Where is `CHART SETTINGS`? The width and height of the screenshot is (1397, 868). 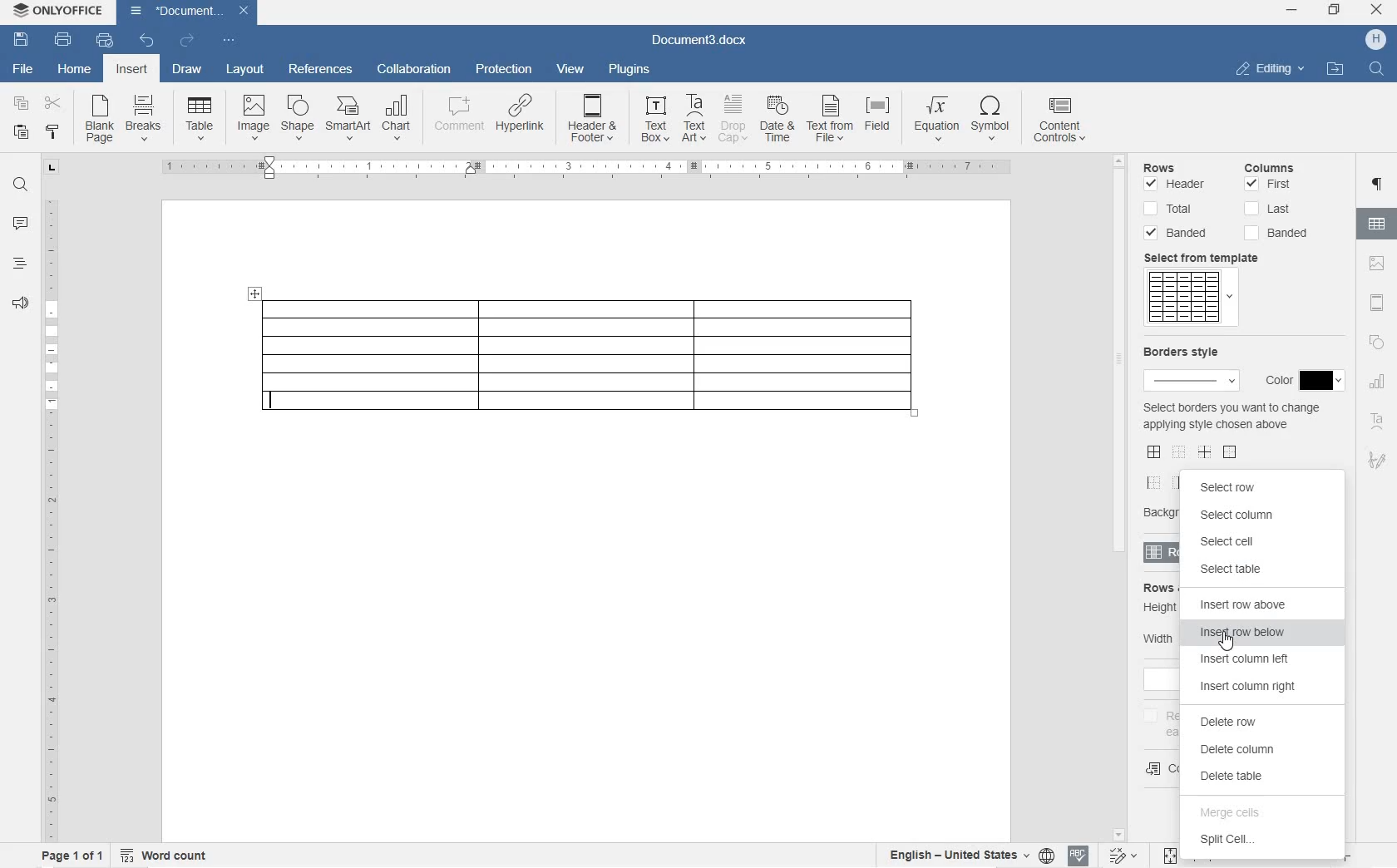 CHART SETTINGS is located at coordinates (1377, 384).